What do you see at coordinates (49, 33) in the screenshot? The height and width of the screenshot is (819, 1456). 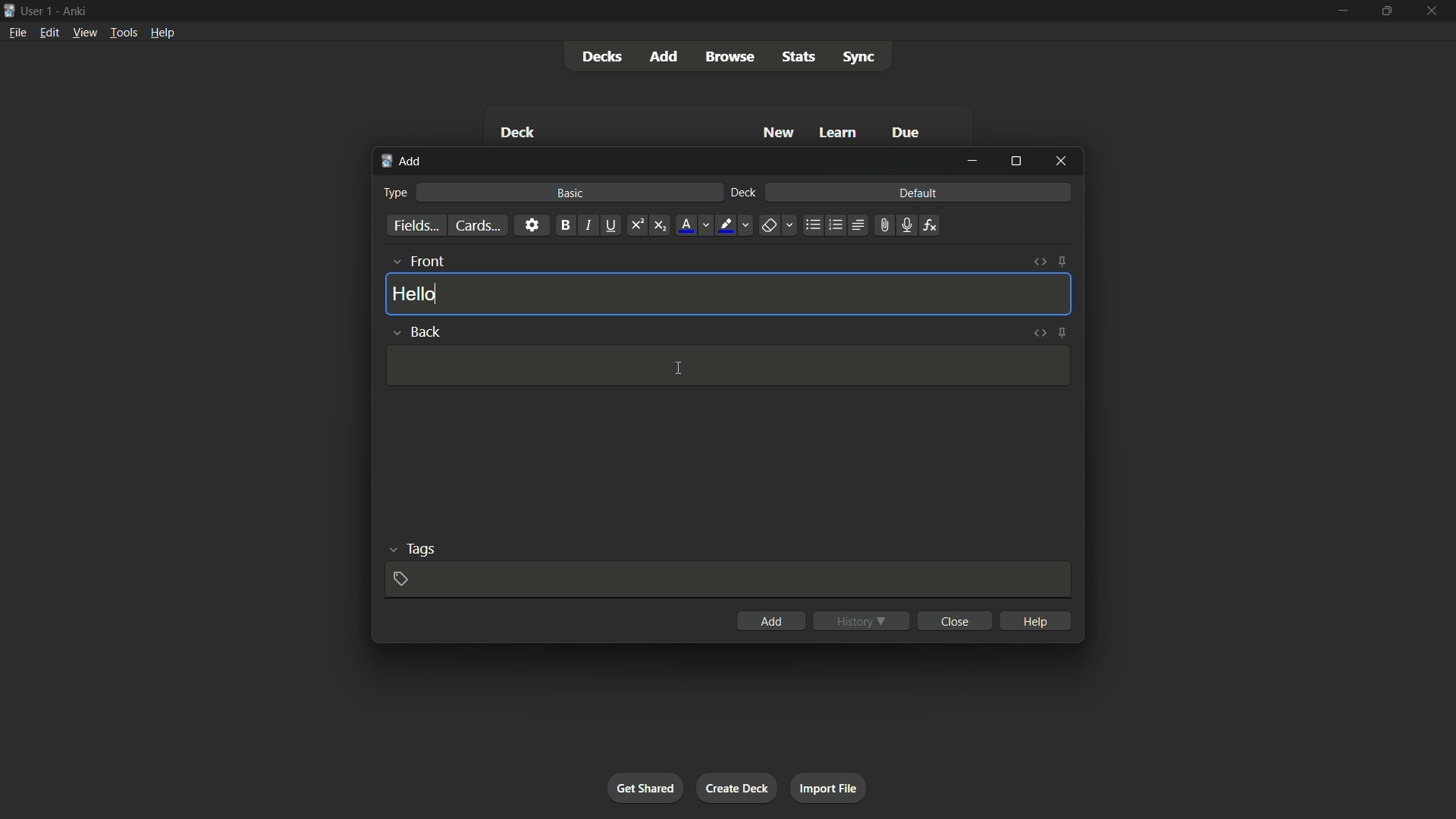 I see `edit menu` at bounding box center [49, 33].